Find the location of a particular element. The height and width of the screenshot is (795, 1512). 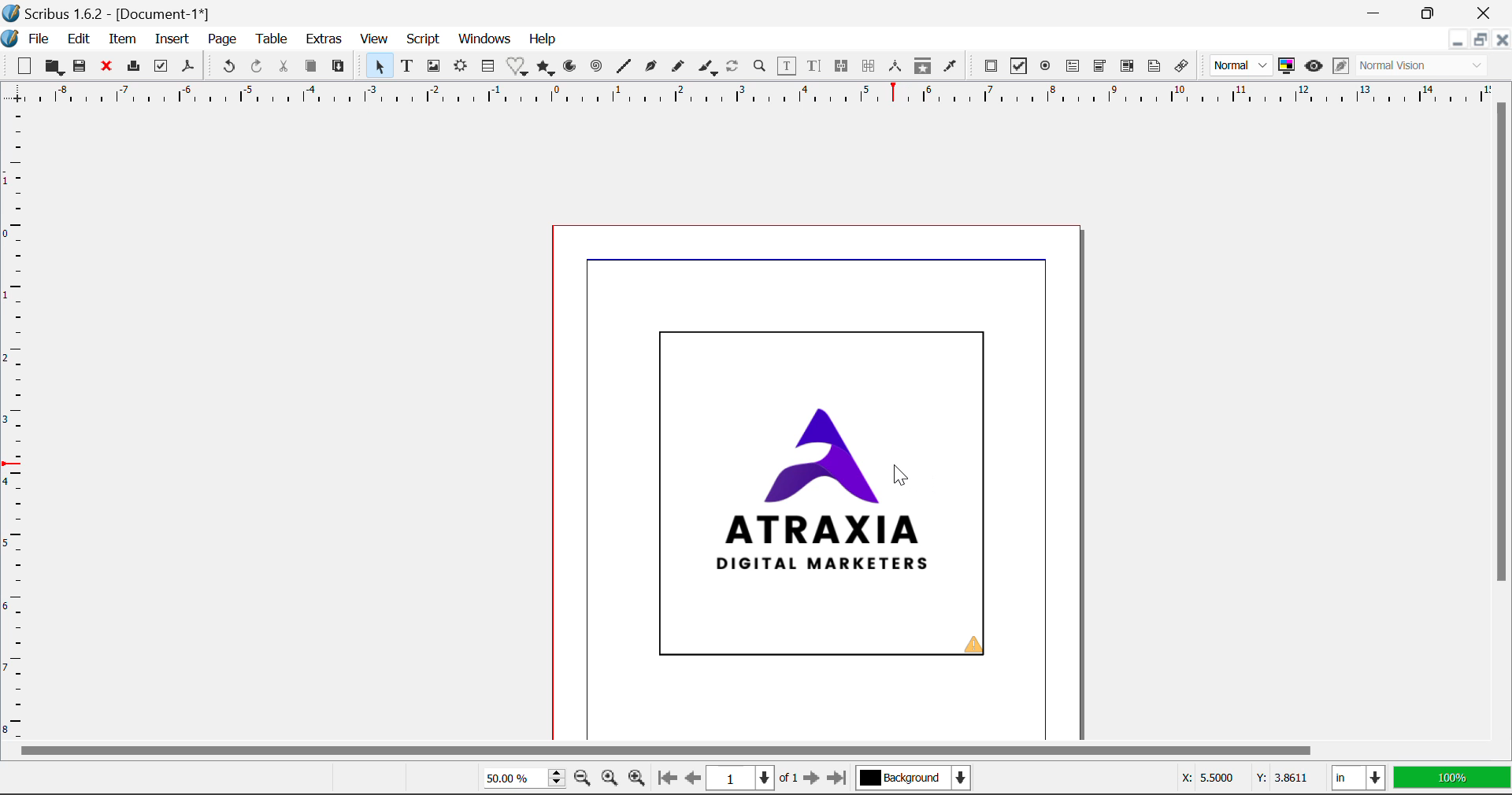

Pdf Combo box is located at coordinates (1100, 68).